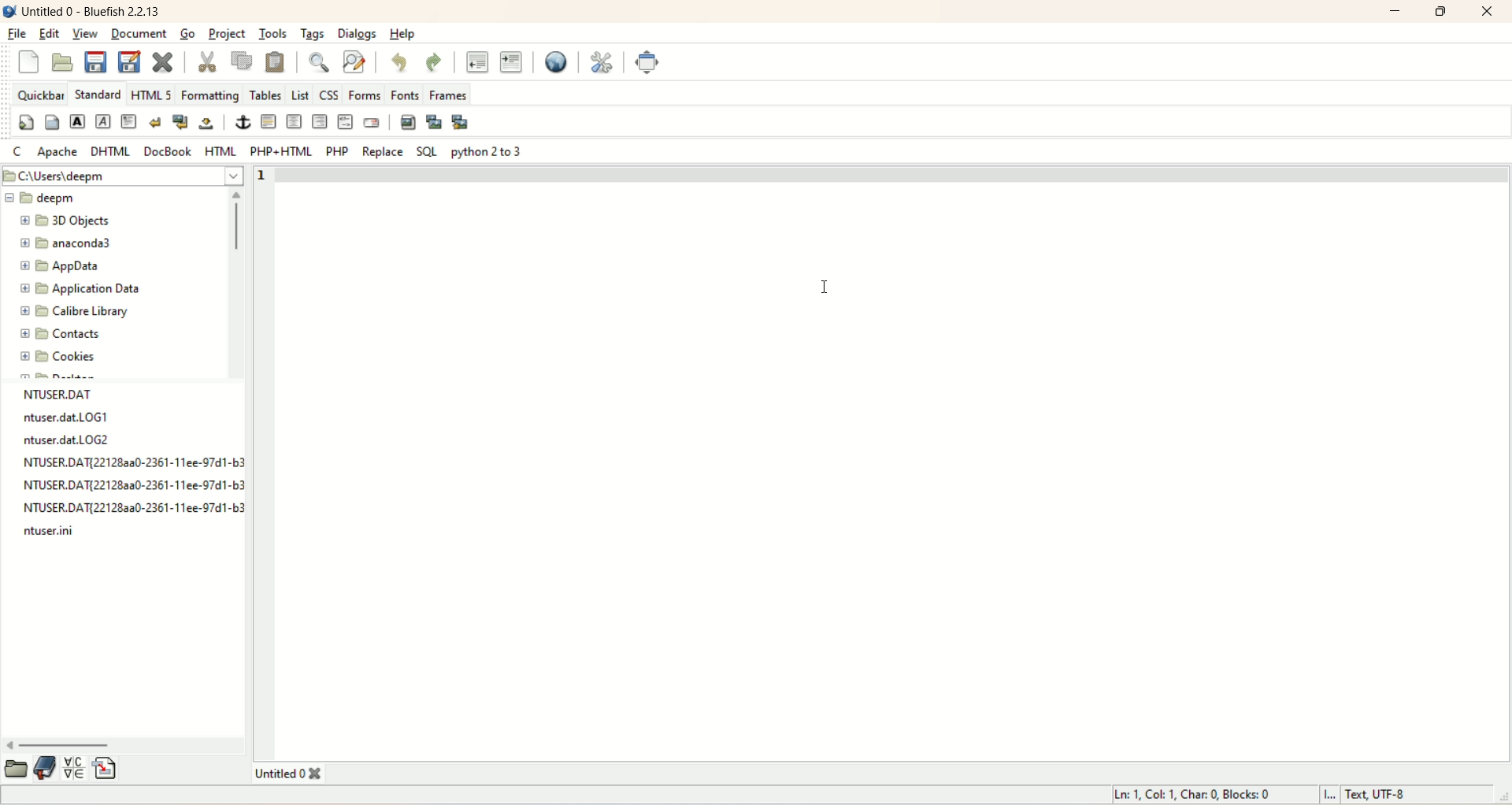 The height and width of the screenshot is (805, 1512). What do you see at coordinates (169, 151) in the screenshot?
I see `docbook` at bounding box center [169, 151].